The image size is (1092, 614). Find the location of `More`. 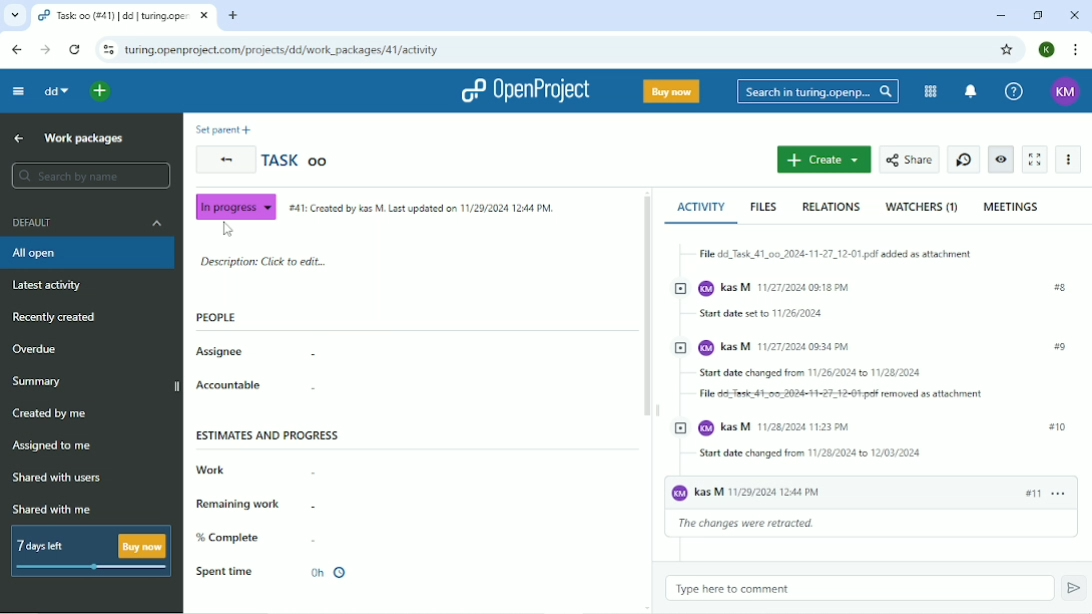

More is located at coordinates (1070, 161).